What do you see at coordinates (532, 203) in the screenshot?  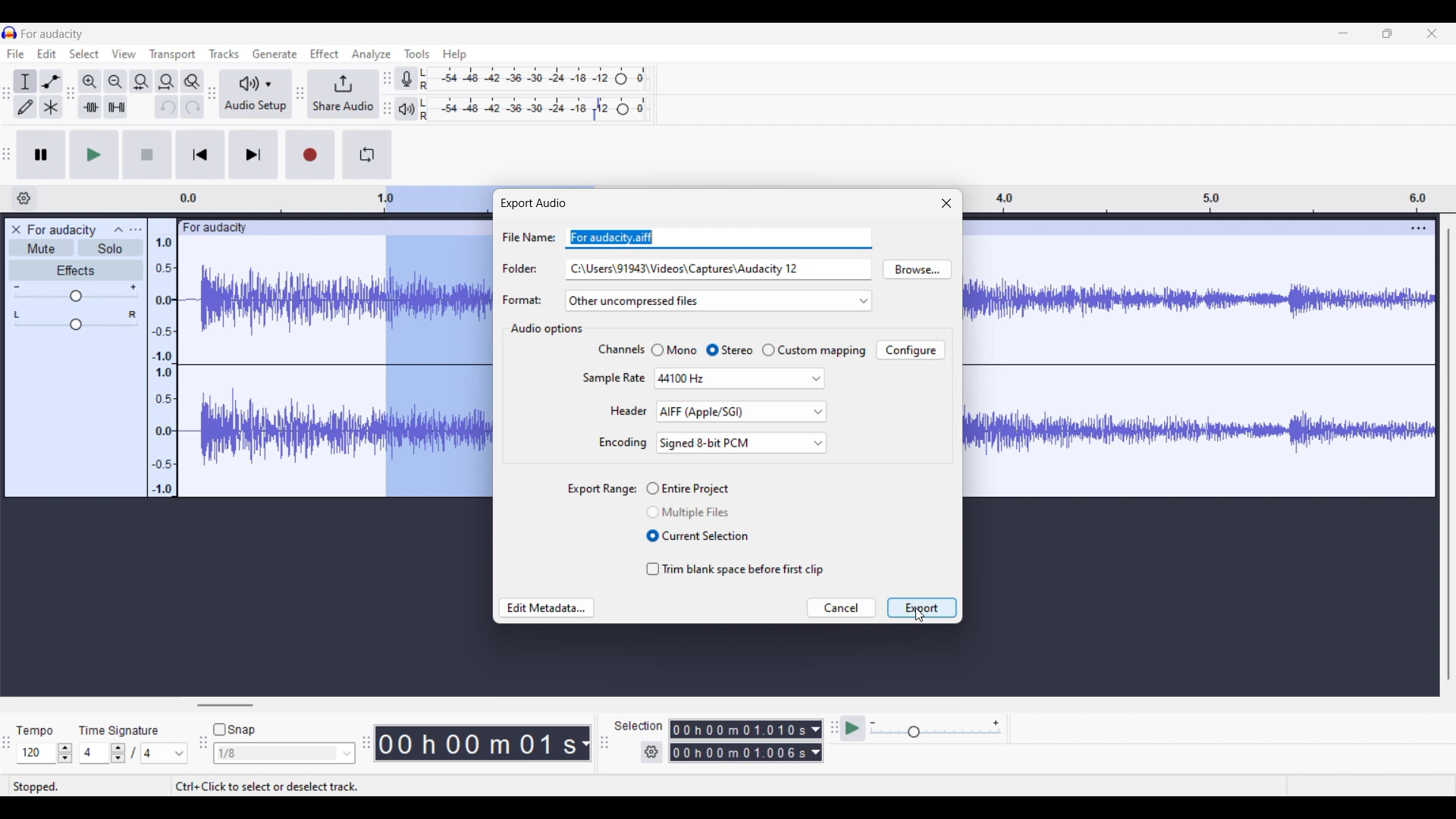 I see `Window title` at bounding box center [532, 203].